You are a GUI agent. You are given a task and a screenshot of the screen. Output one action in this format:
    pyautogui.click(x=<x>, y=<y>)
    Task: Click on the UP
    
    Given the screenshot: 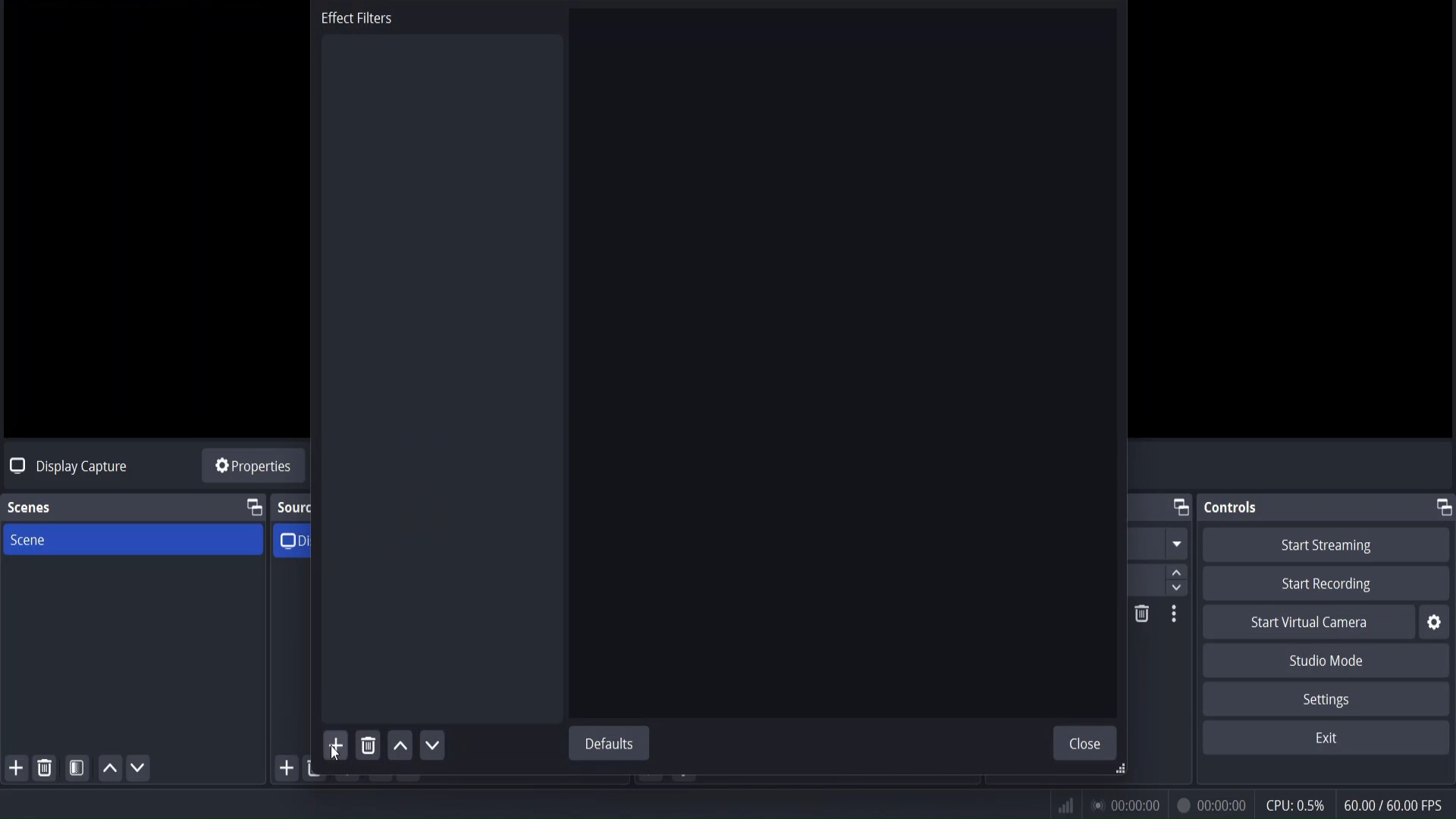 What is the action you would take?
    pyautogui.click(x=107, y=772)
    